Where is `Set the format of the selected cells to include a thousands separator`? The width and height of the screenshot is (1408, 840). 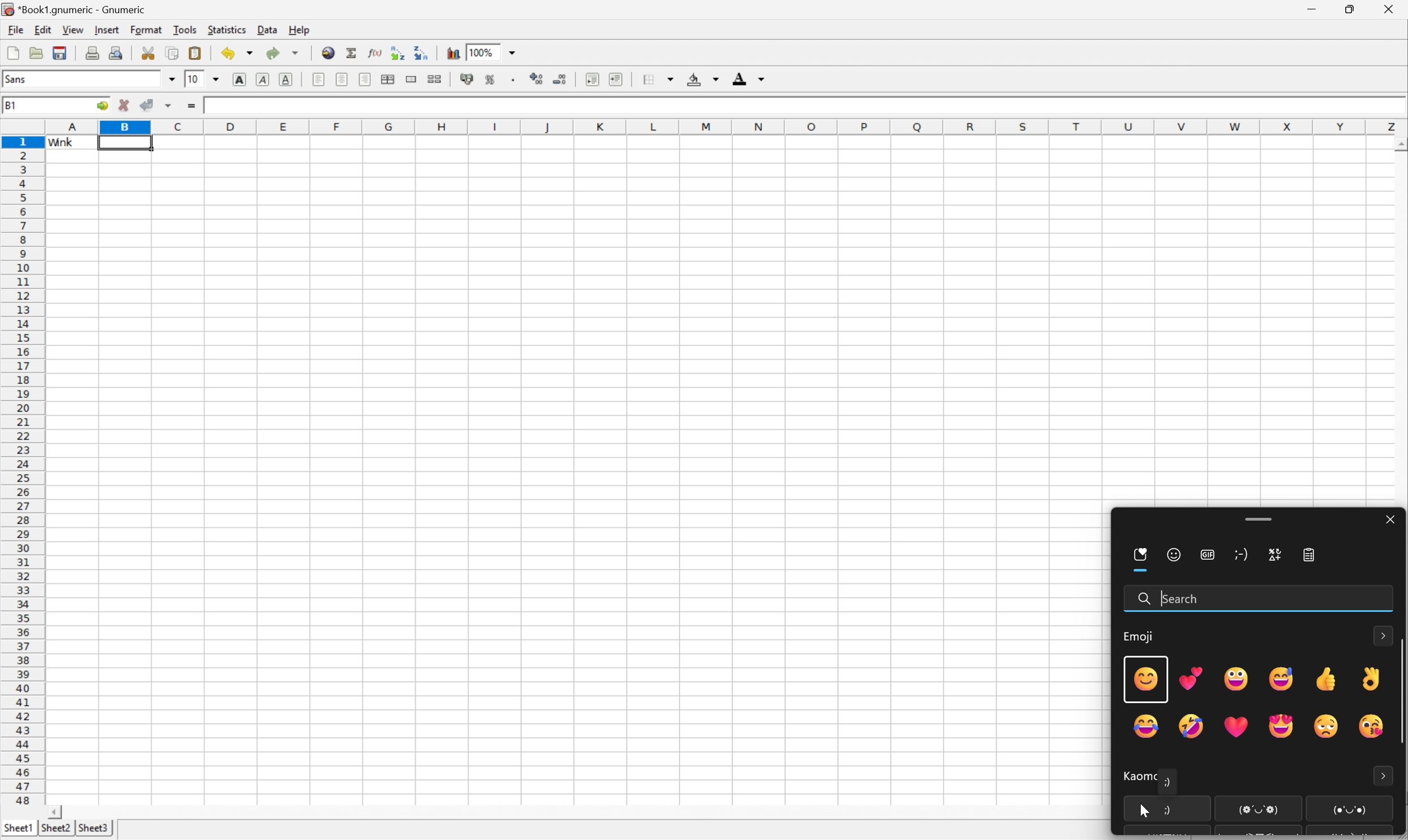 Set the format of the selected cells to include a thousands separator is located at coordinates (513, 79).